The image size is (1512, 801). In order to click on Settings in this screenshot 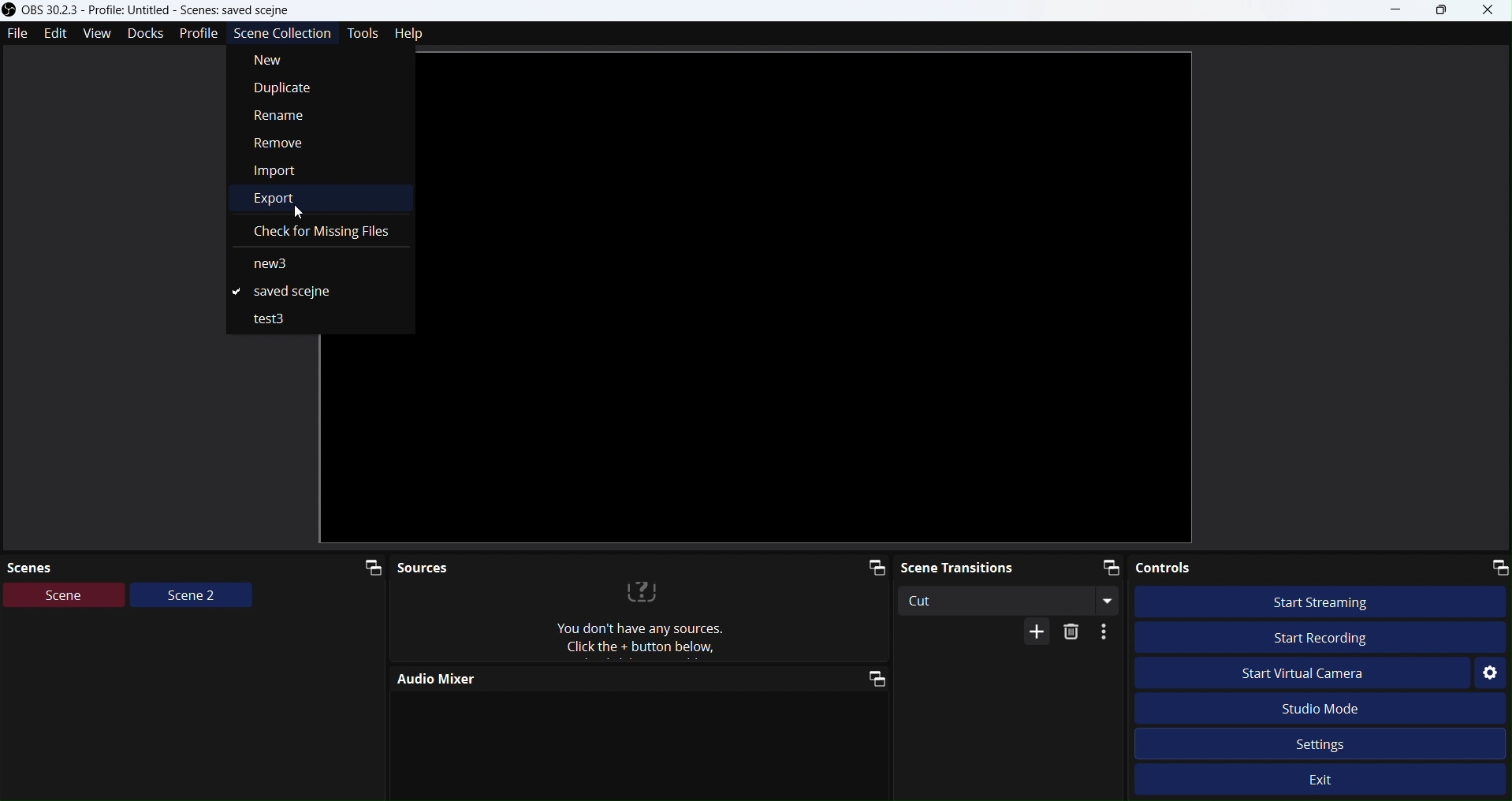, I will do `click(1490, 674)`.